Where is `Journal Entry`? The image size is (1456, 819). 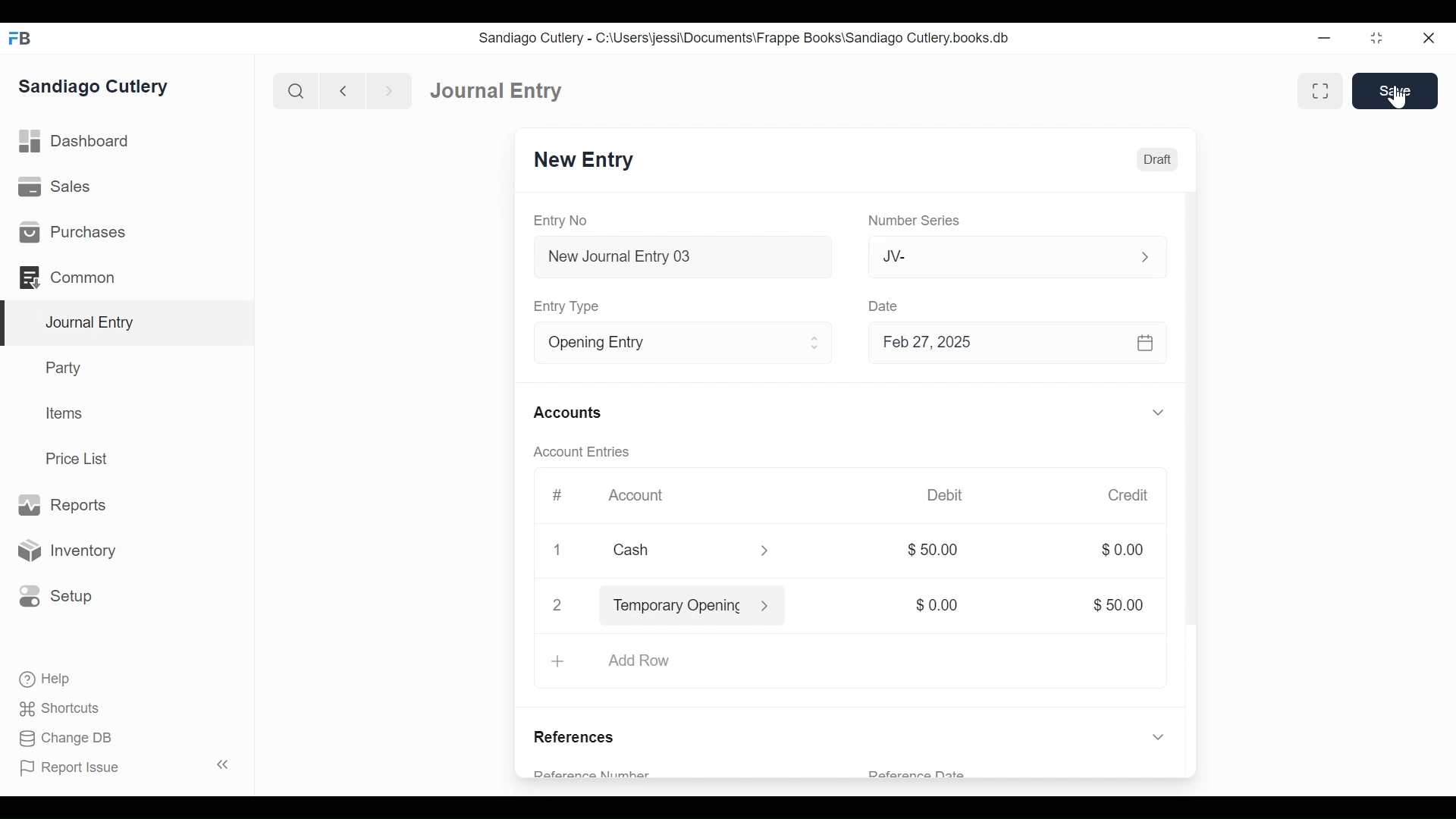 Journal Entry is located at coordinates (124, 324).